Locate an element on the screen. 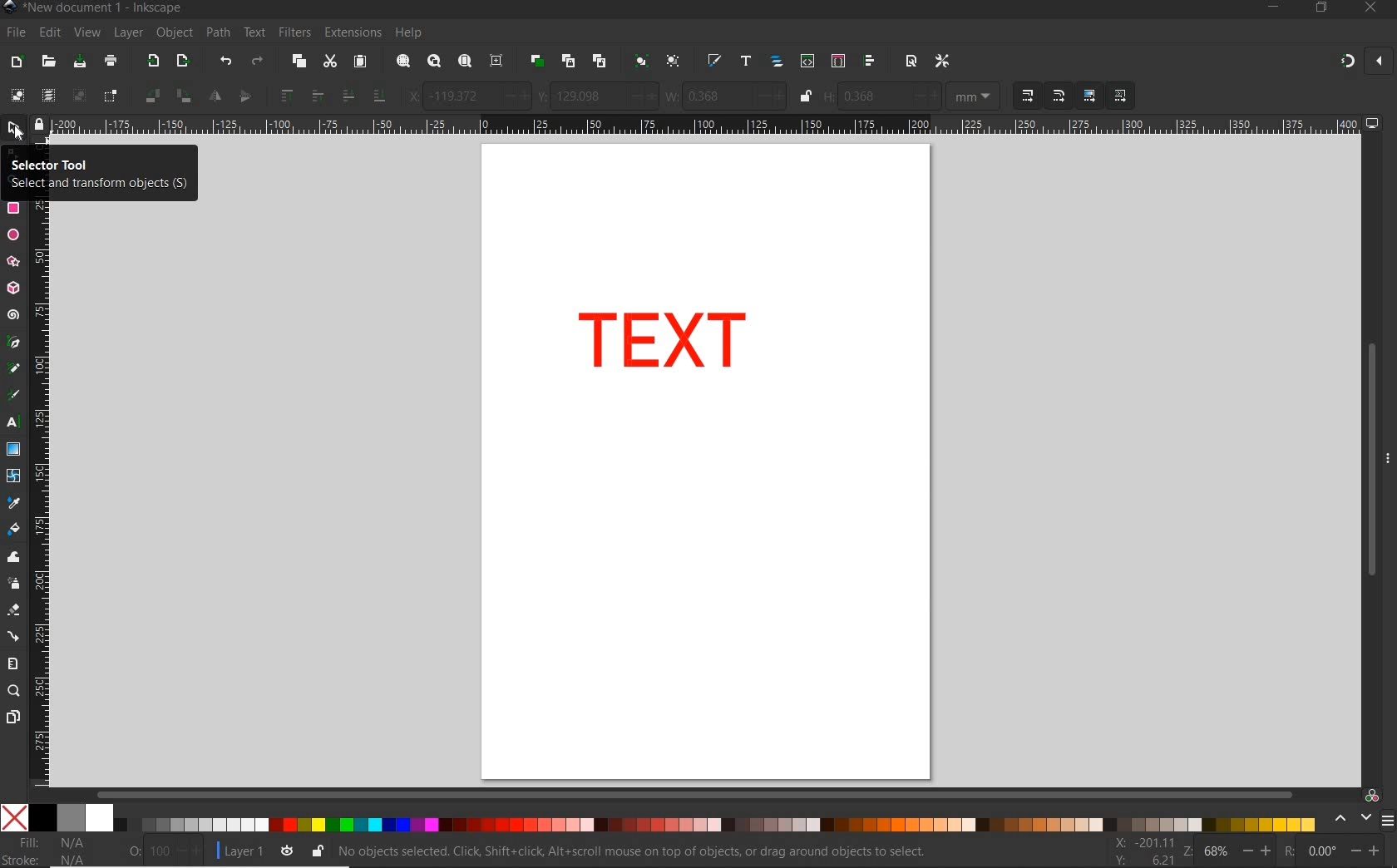 The width and height of the screenshot is (1397, 868). HEIGHT OF SELECTION is located at coordinates (881, 97).